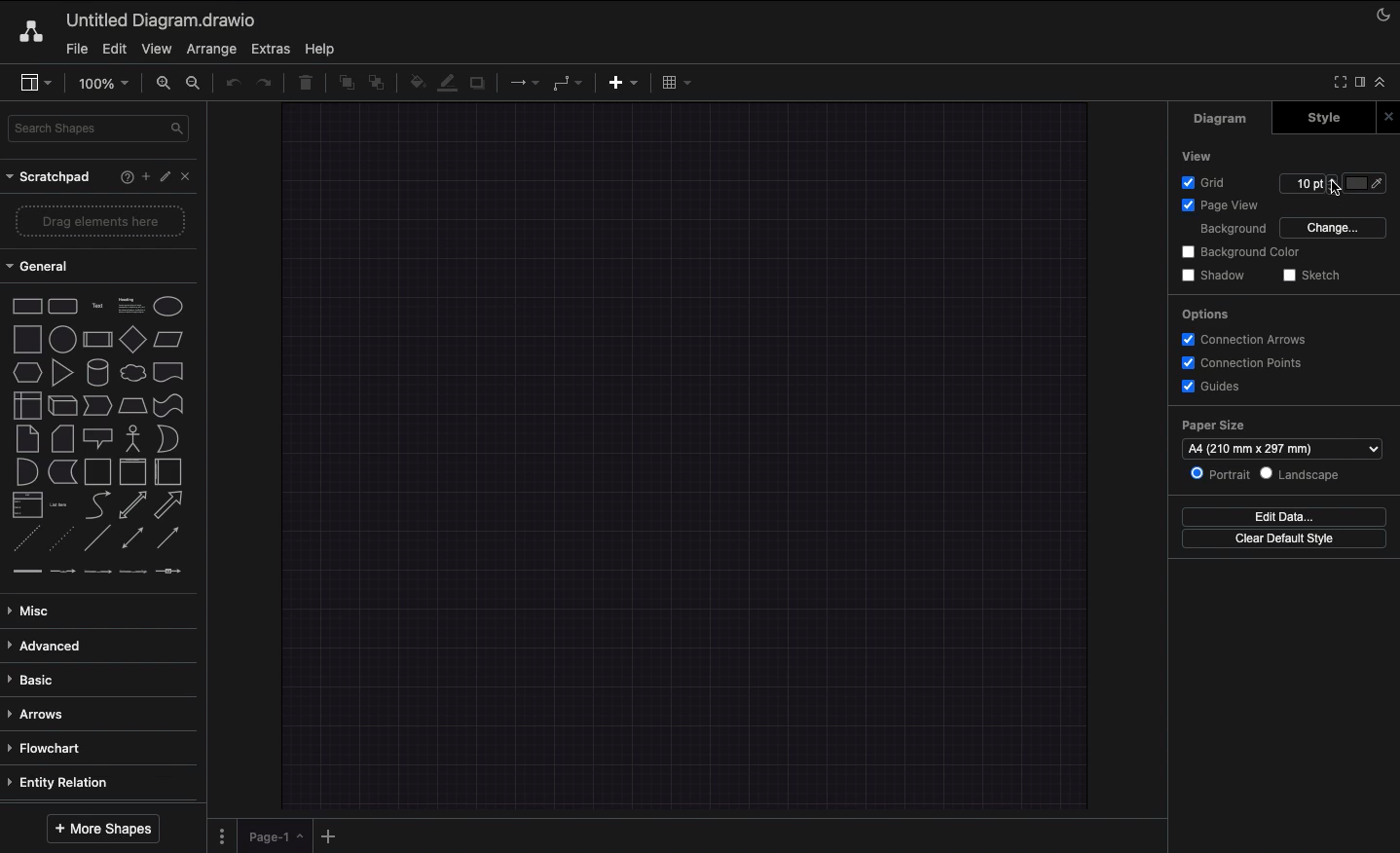  What do you see at coordinates (1195, 156) in the screenshot?
I see `View` at bounding box center [1195, 156].